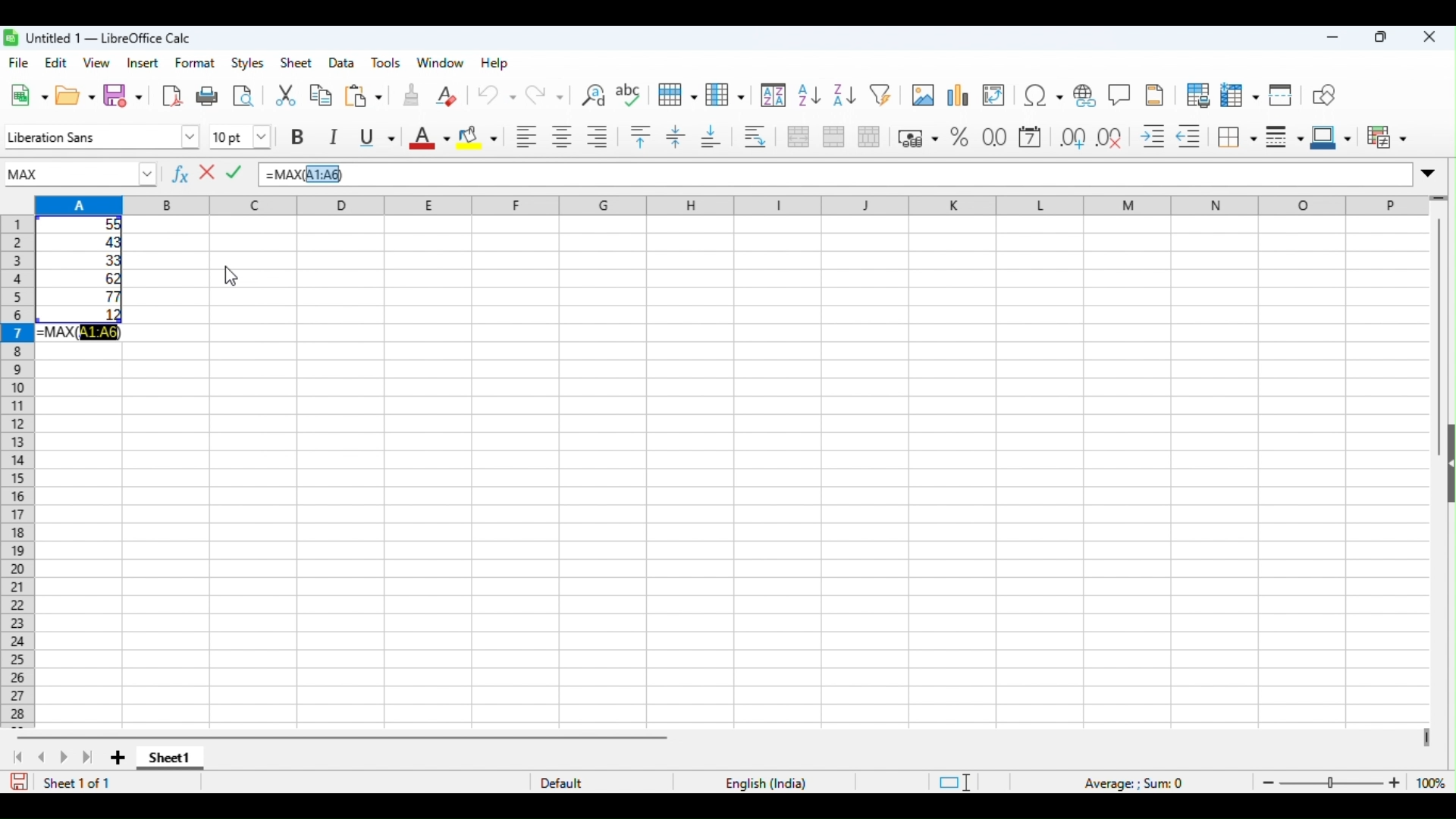  I want to click on previous sheet, so click(44, 758).